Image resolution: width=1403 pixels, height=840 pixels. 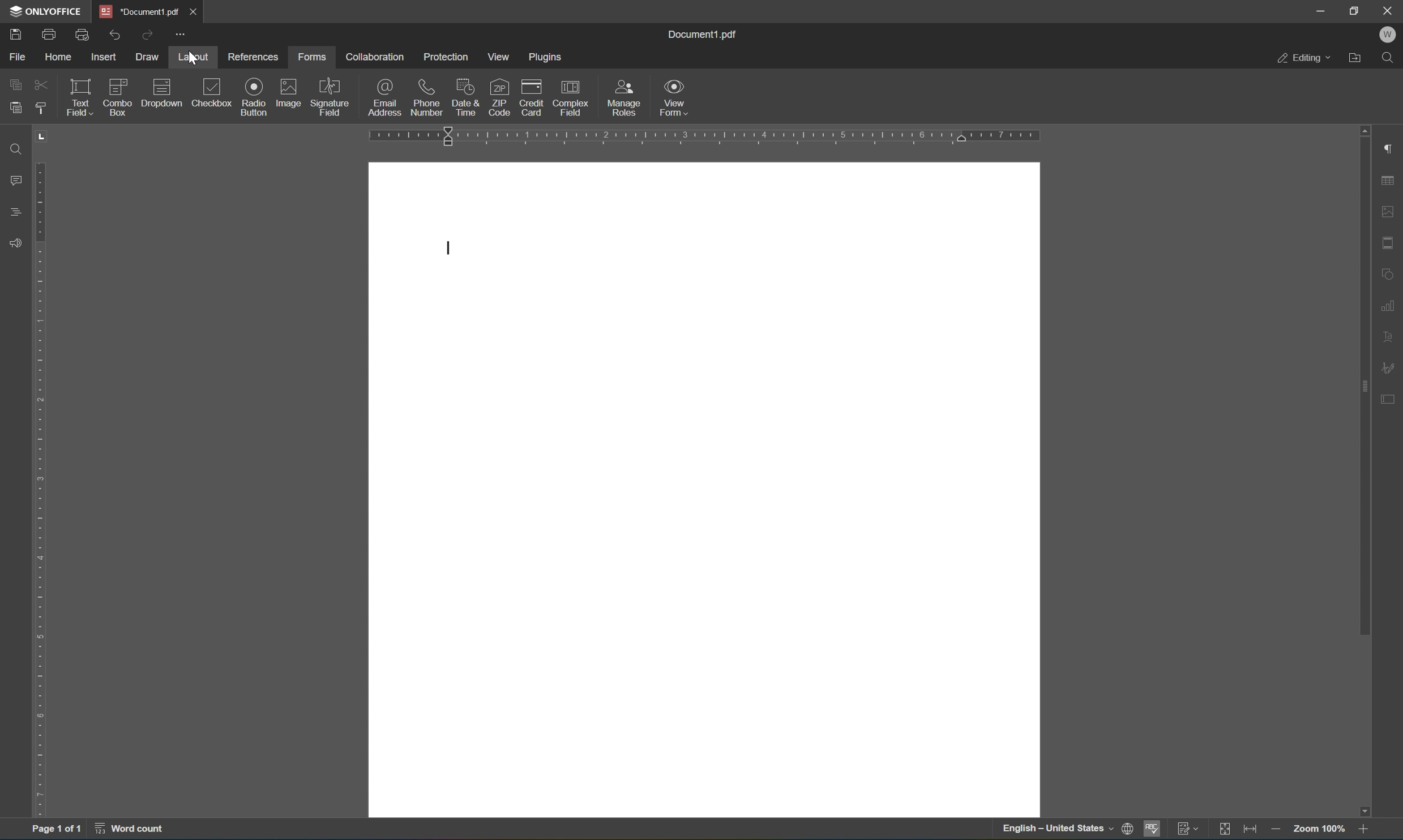 I want to click on plugins, so click(x=548, y=55).